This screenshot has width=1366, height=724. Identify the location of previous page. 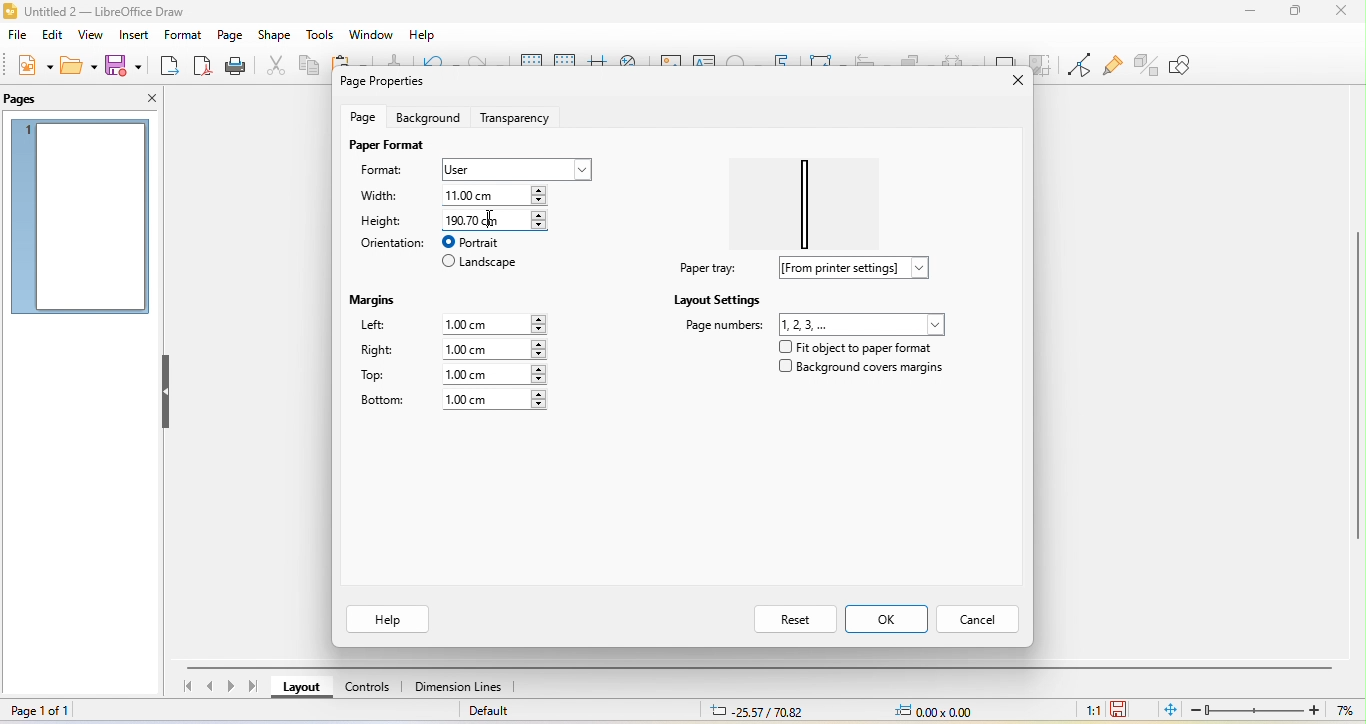
(210, 688).